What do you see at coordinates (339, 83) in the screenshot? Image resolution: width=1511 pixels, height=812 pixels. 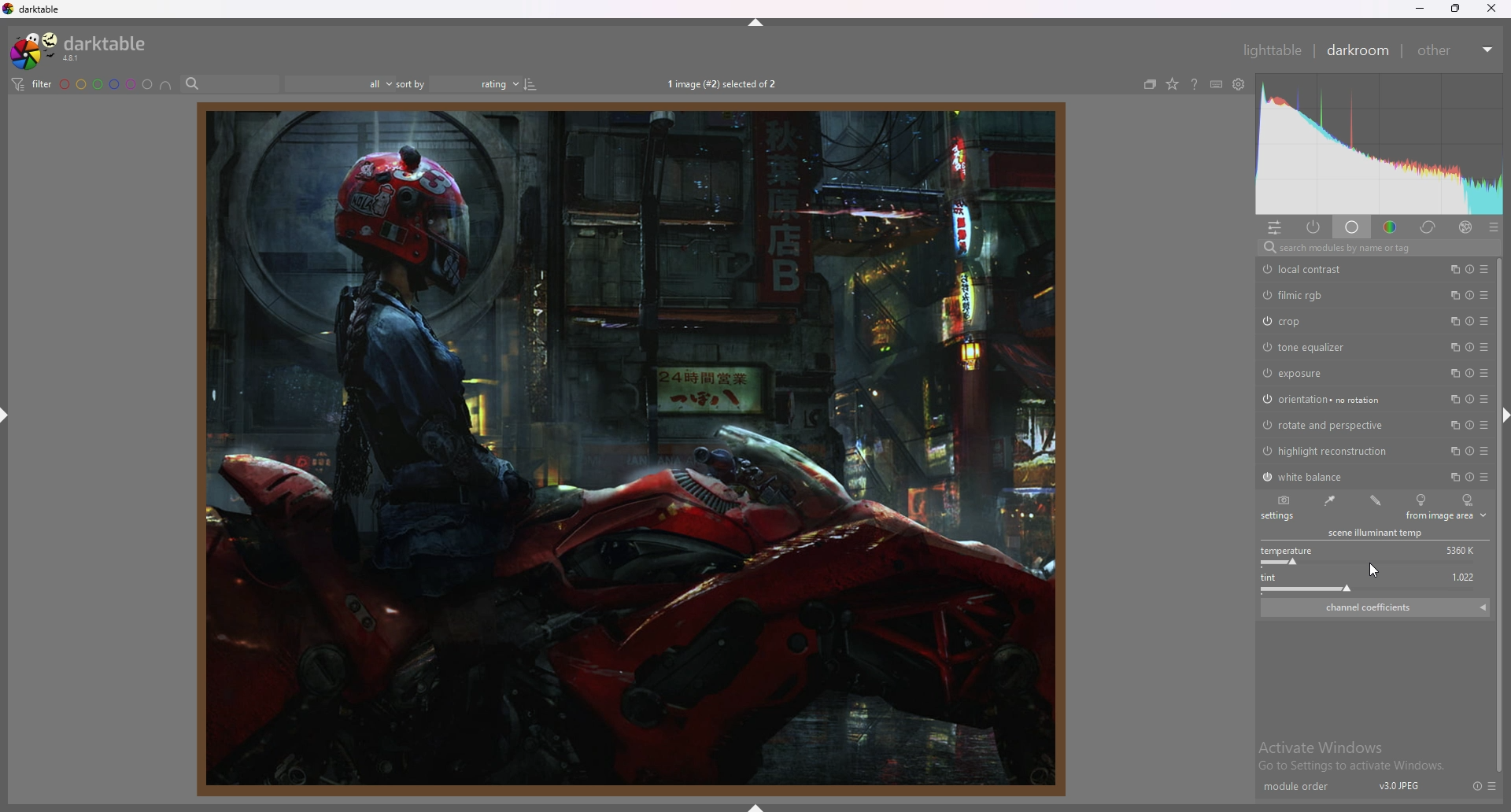 I see `filter by images rating` at bounding box center [339, 83].